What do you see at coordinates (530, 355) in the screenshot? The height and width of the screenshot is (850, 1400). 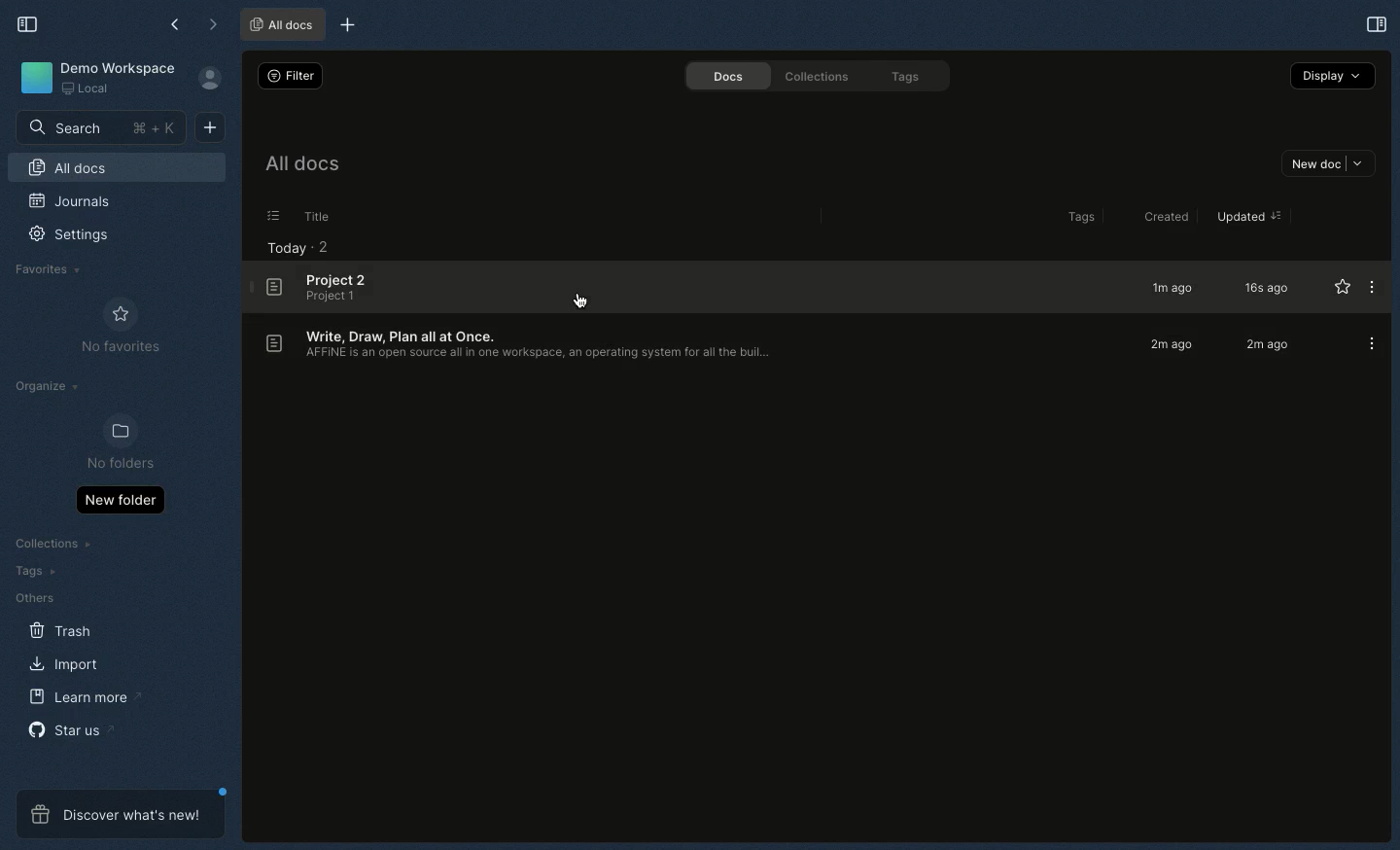 I see `Title` at bounding box center [530, 355].